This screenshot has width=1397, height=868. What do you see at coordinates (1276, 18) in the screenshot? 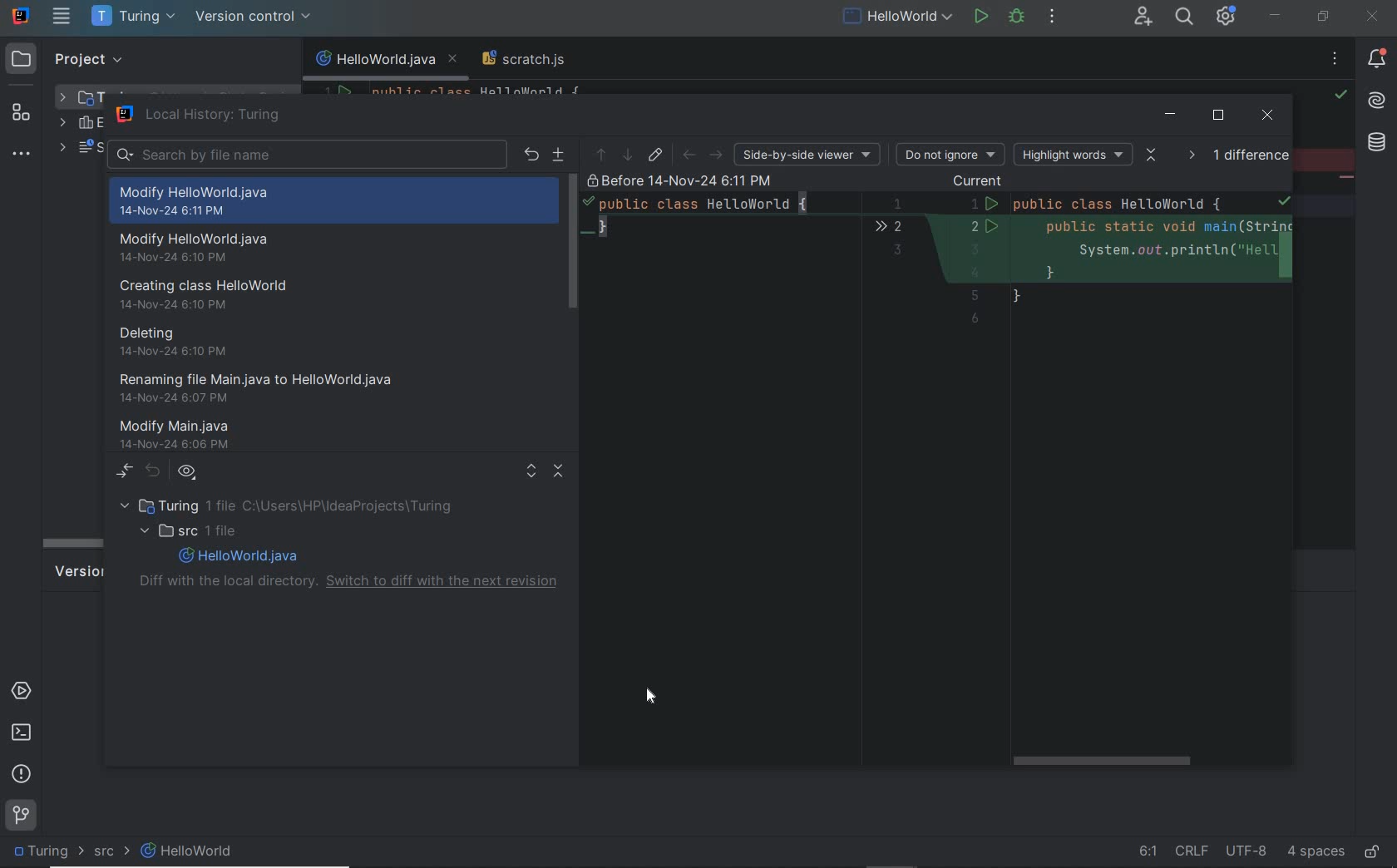
I see `minimize` at bounding box center [1276, 18].